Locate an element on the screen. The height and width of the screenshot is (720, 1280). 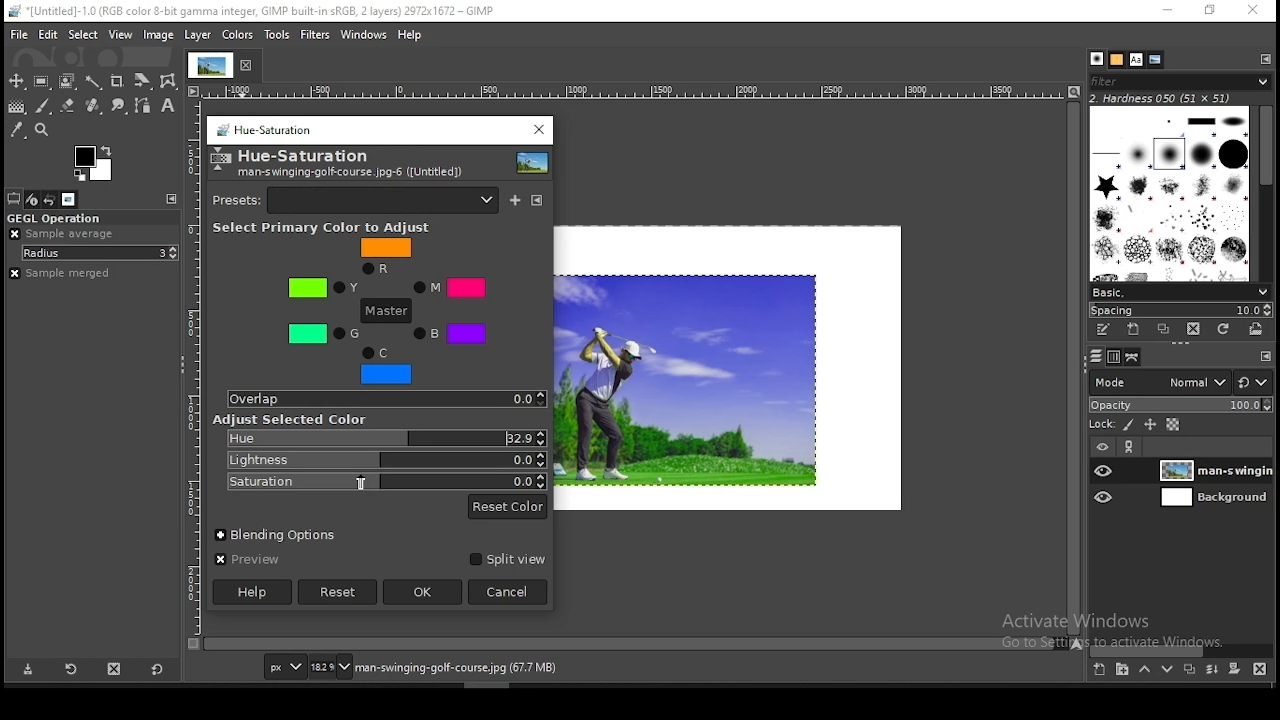
tab is located at coordinates (210, 65).